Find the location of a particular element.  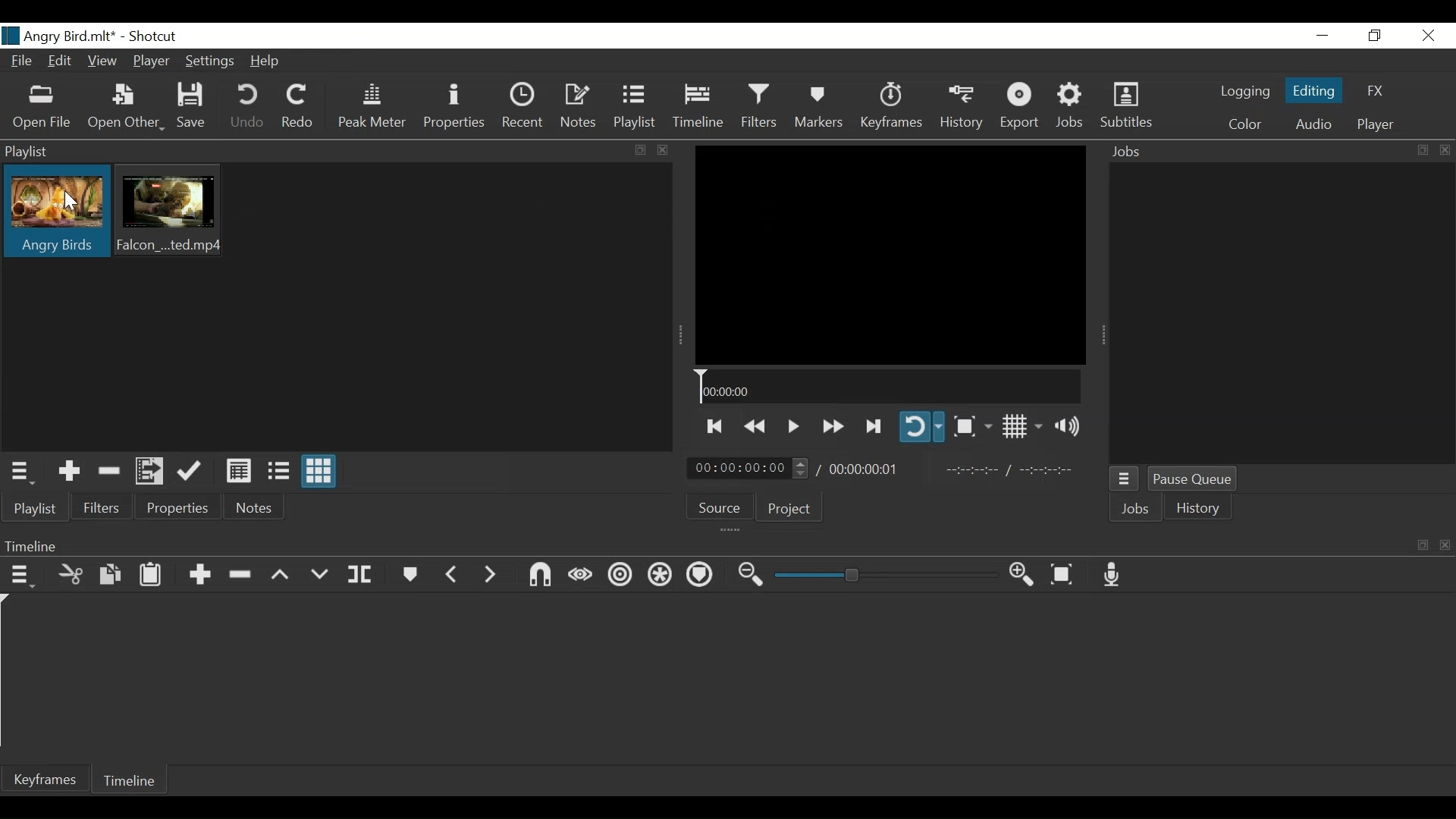

Colr is located at coordinates (1244, 124).